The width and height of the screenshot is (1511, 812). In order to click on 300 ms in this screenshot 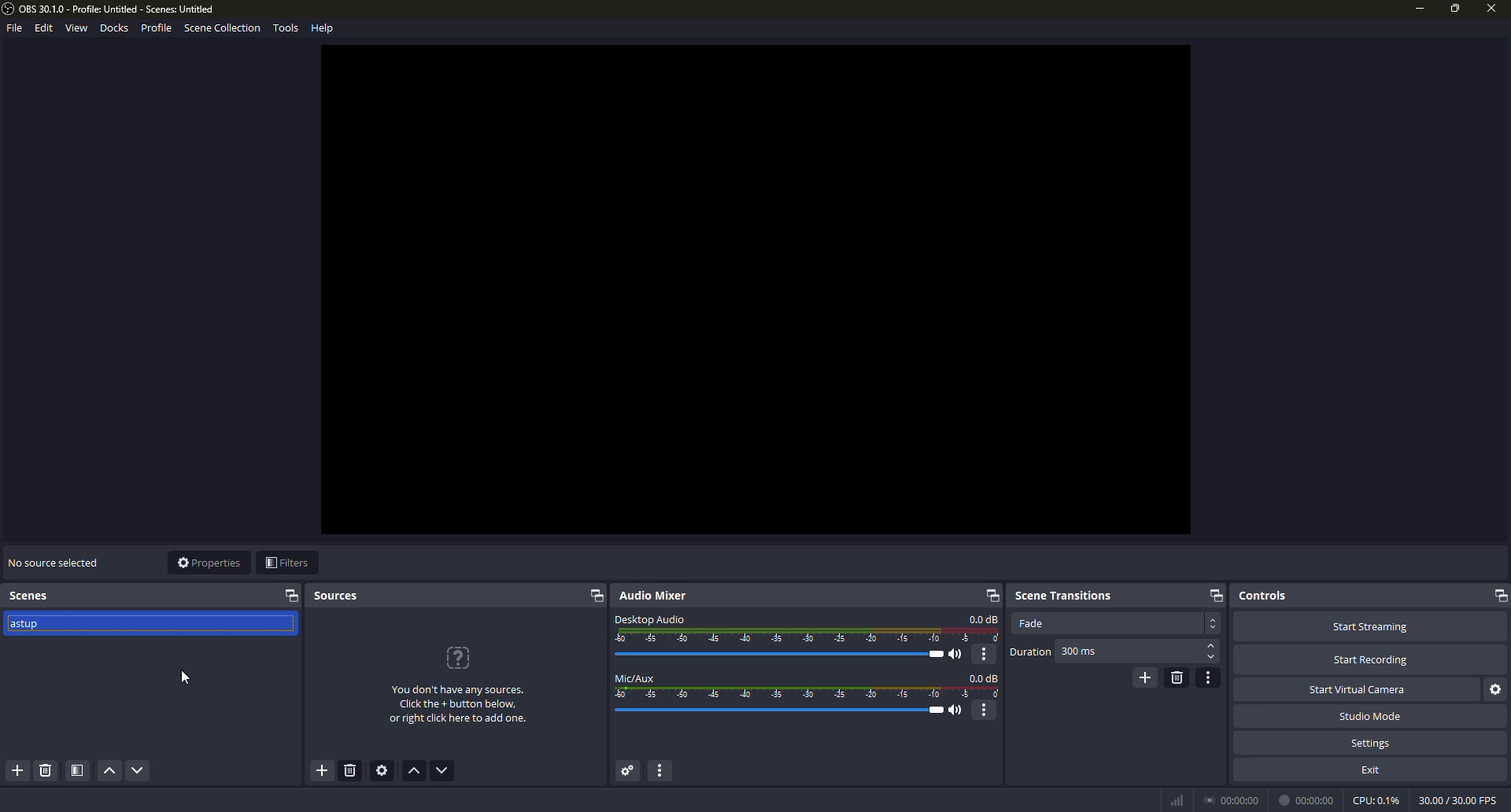, I will do `click(1080, 652)`.